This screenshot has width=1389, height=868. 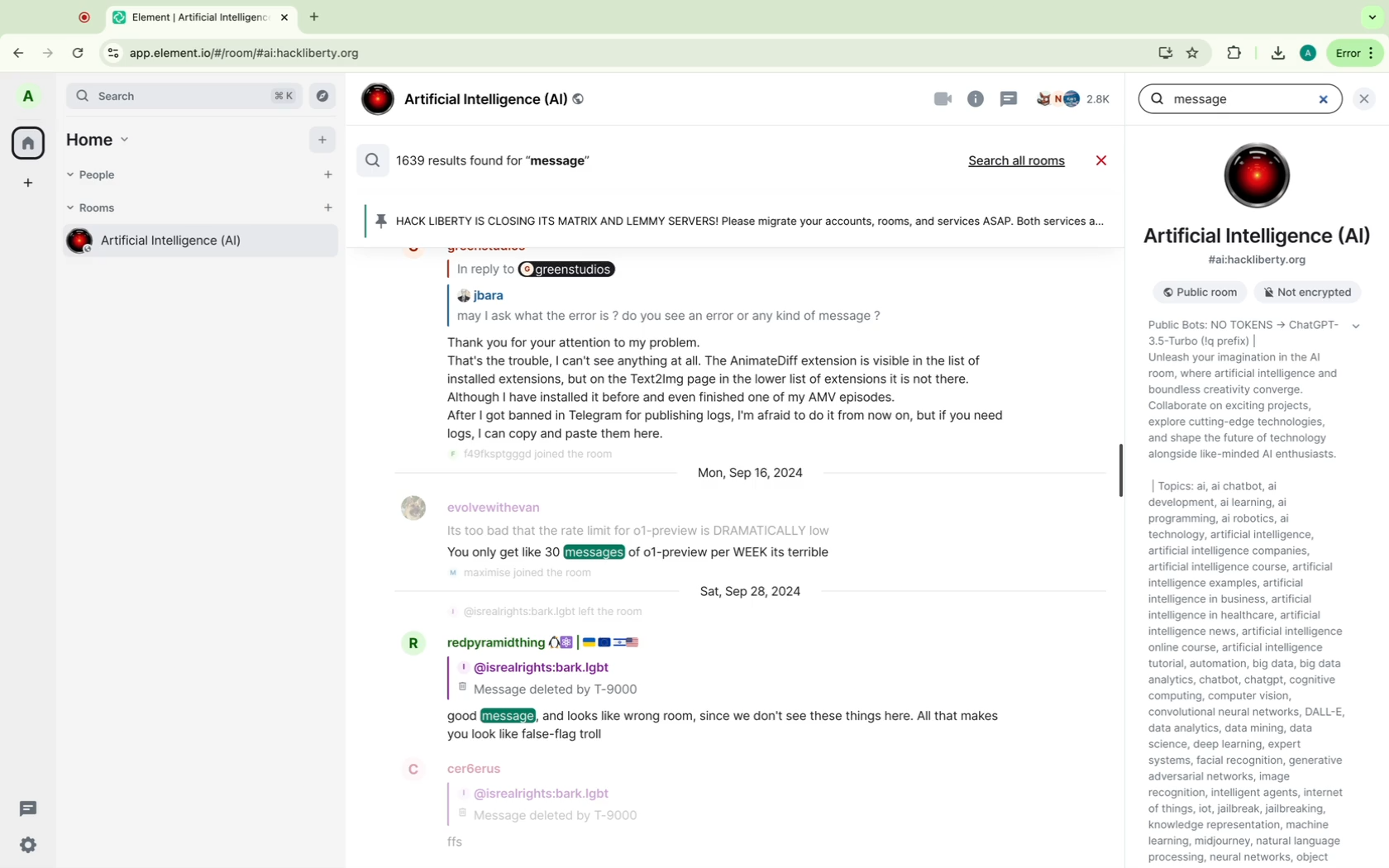 I want to click on room info, so click(x=976, y=98).